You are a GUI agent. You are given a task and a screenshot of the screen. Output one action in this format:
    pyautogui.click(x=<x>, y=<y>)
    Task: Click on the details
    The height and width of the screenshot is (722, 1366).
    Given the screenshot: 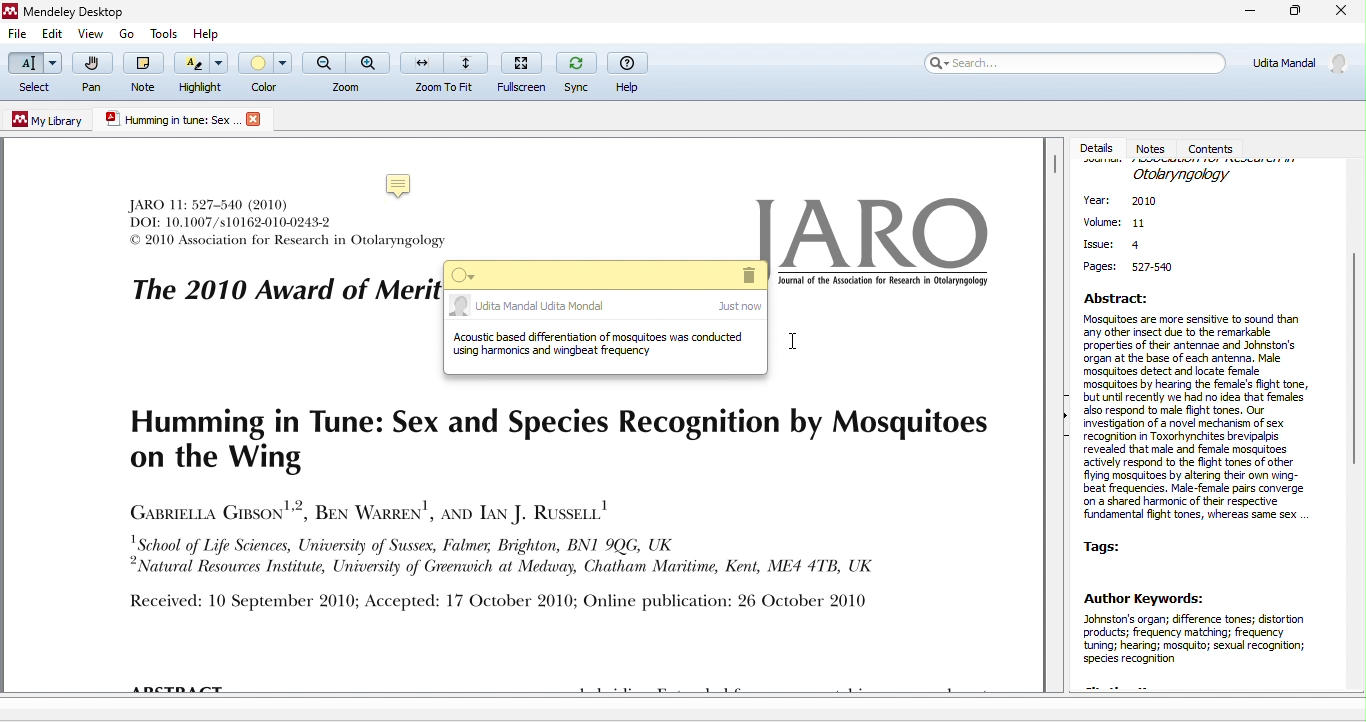 What is the action you would take?
    pyautogui.click(x=1098, y=148)
    